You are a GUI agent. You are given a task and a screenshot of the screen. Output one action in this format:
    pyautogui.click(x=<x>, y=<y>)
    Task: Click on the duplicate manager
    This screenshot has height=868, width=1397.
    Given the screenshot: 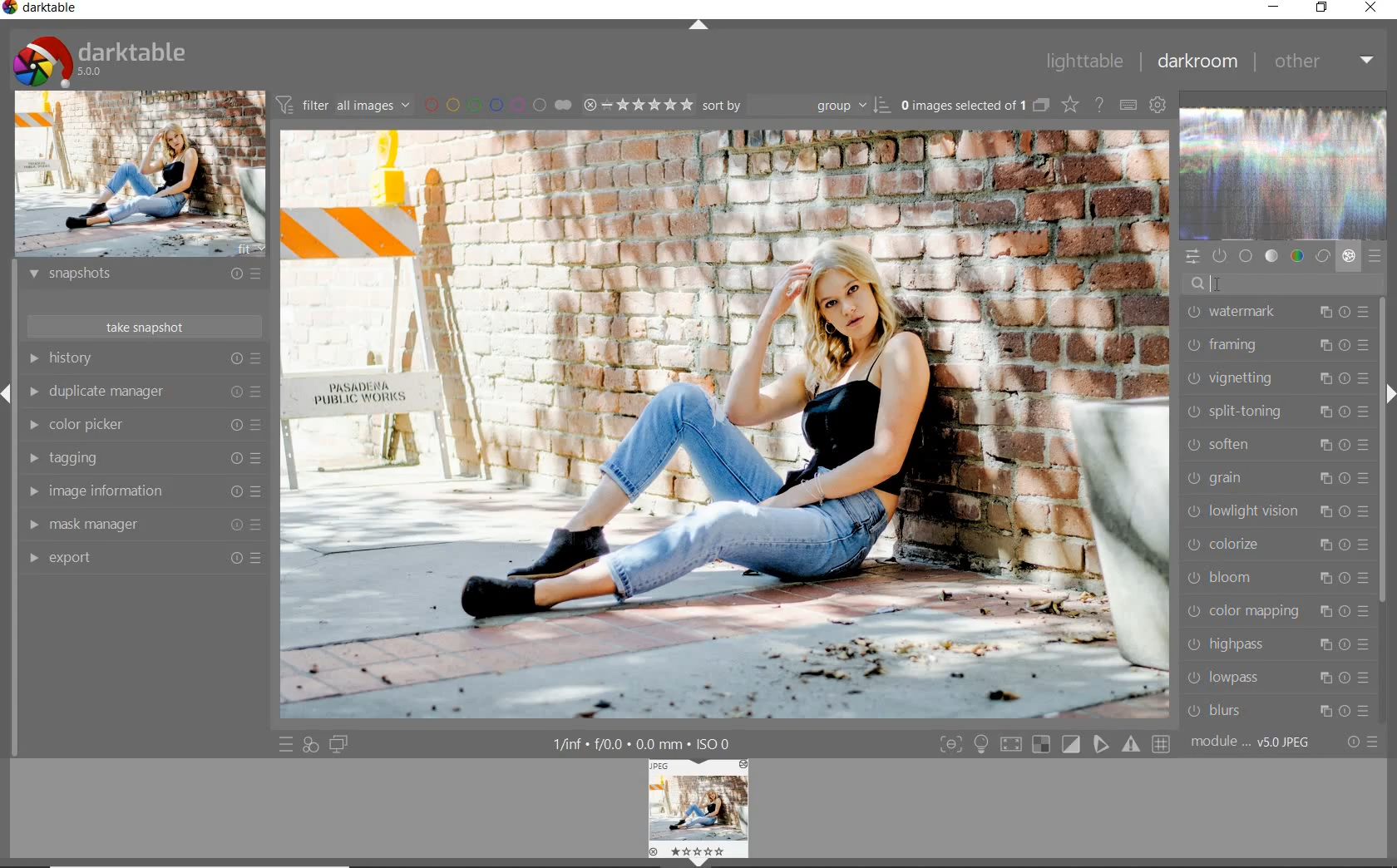 What is the action you would take?
    pyautogui.click(x=146, y=394)
    